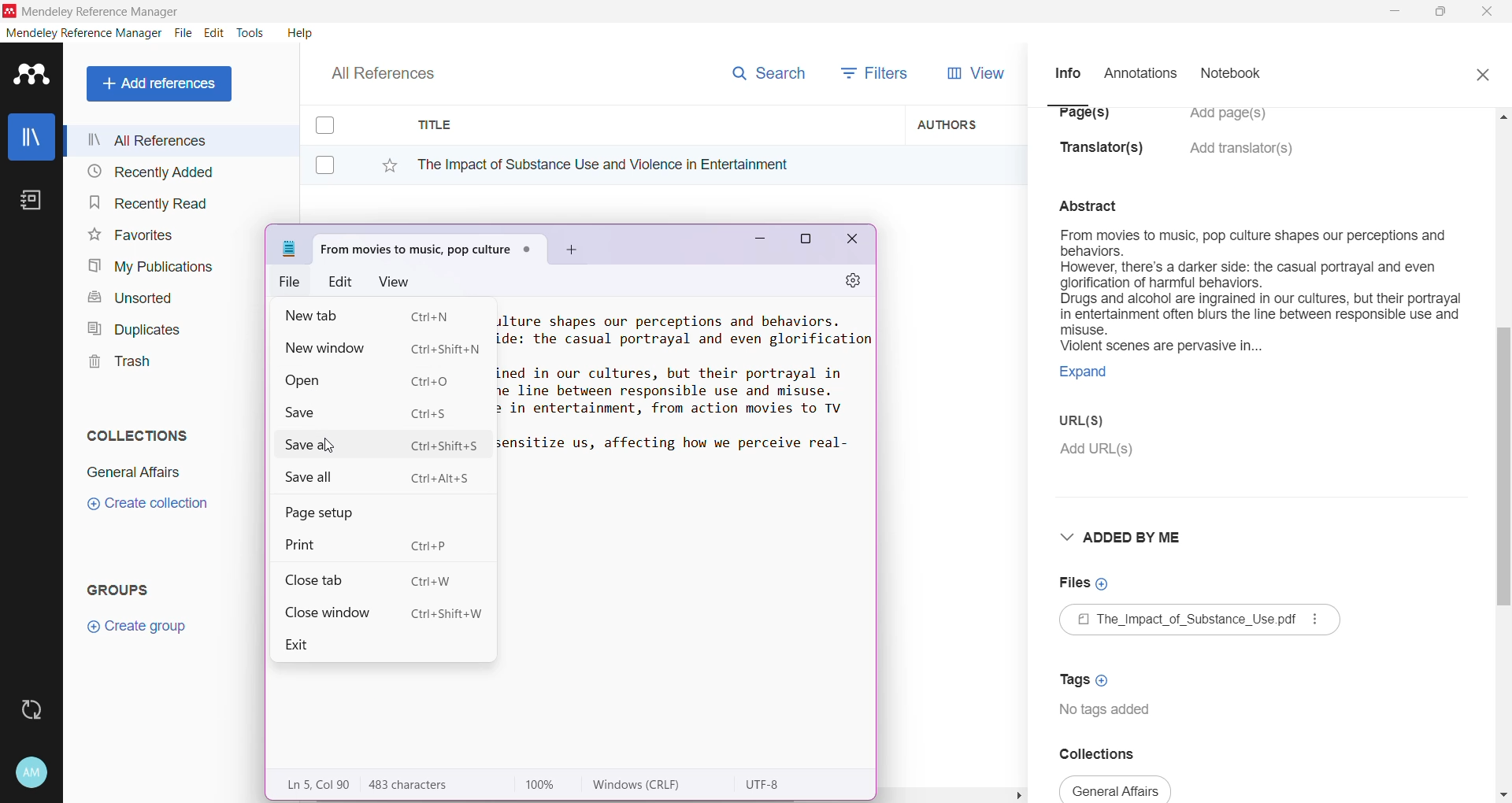  Describe the element at coordinates (1084, 584) in the screenshot. I see `Click to Add Files` at that location.